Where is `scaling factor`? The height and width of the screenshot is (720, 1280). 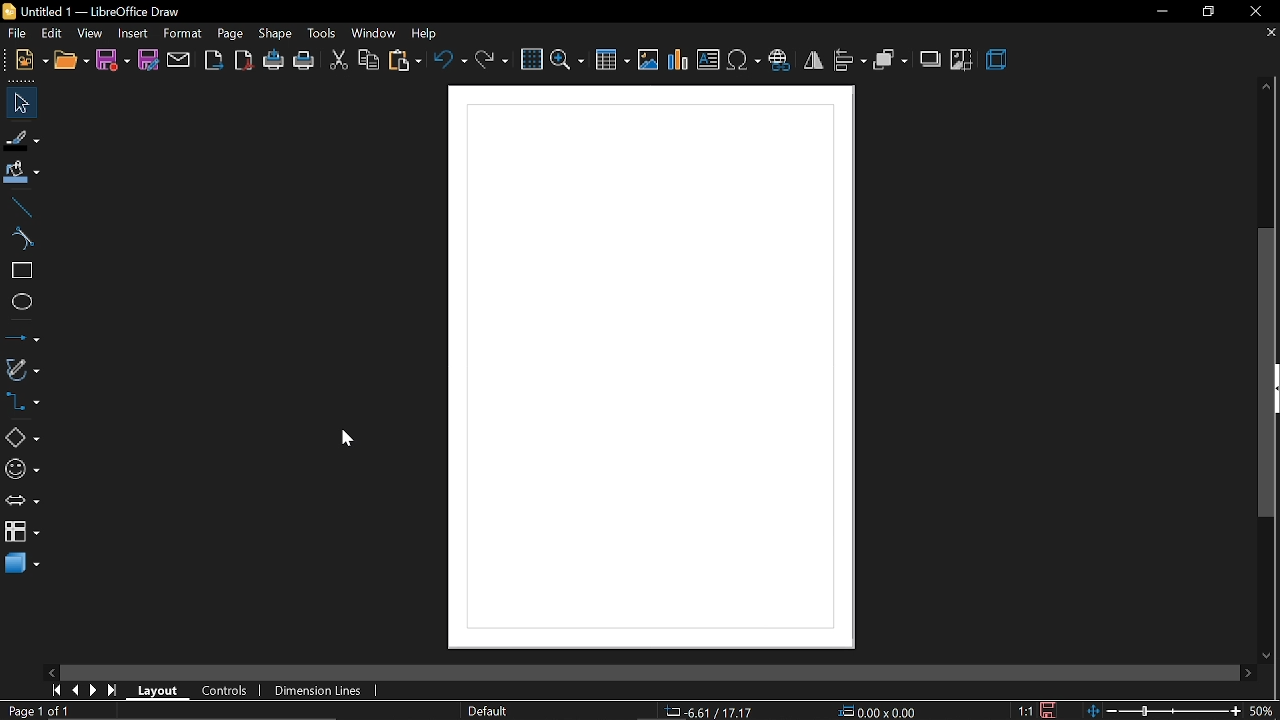
scaling factor is located at coordinates (1025, 711).